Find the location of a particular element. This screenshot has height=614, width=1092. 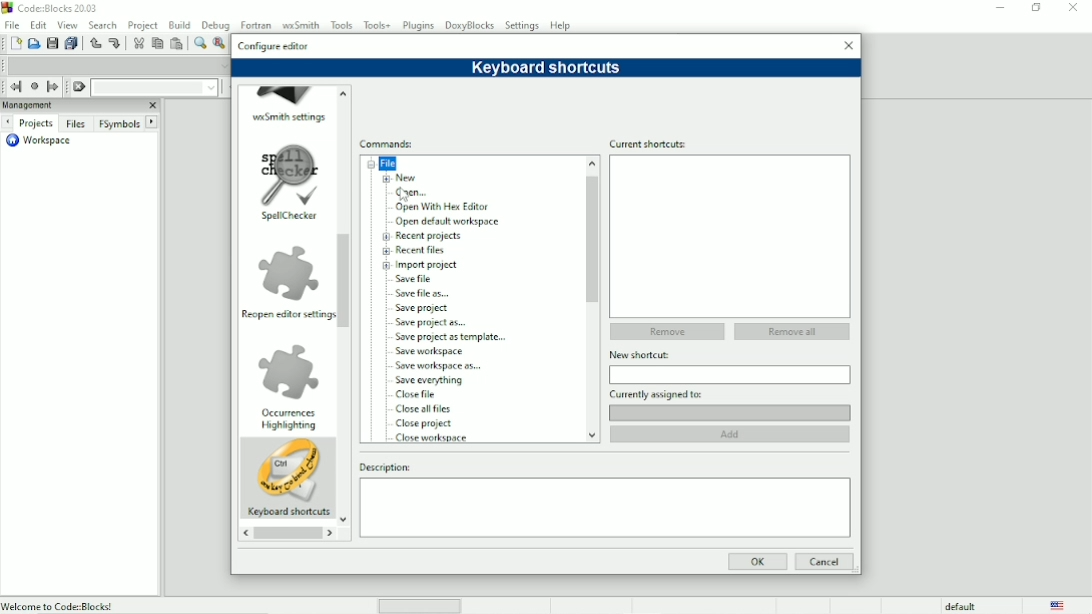

Cancel is located at coordinates (824, 562).